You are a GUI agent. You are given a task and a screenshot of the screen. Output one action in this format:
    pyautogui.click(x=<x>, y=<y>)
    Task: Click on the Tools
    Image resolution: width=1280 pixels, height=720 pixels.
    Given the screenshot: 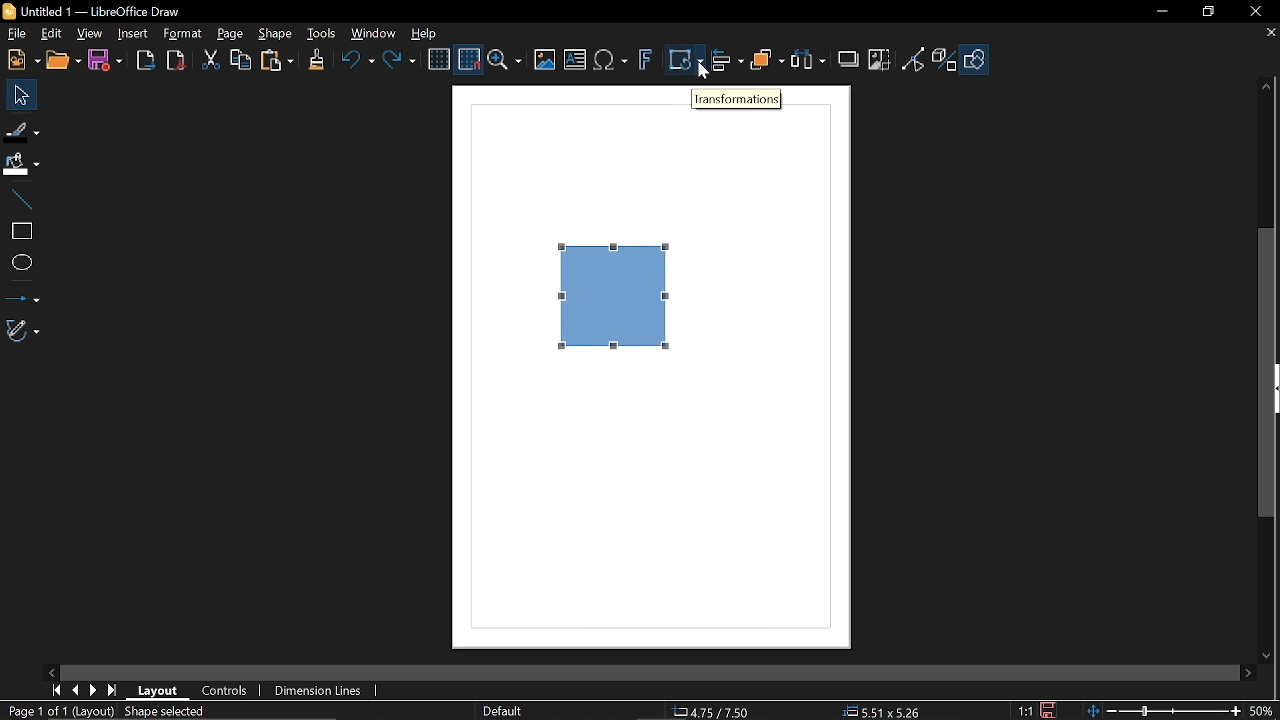 What is the action you would take?
    pyautogui.click(x=321, y=33)
    